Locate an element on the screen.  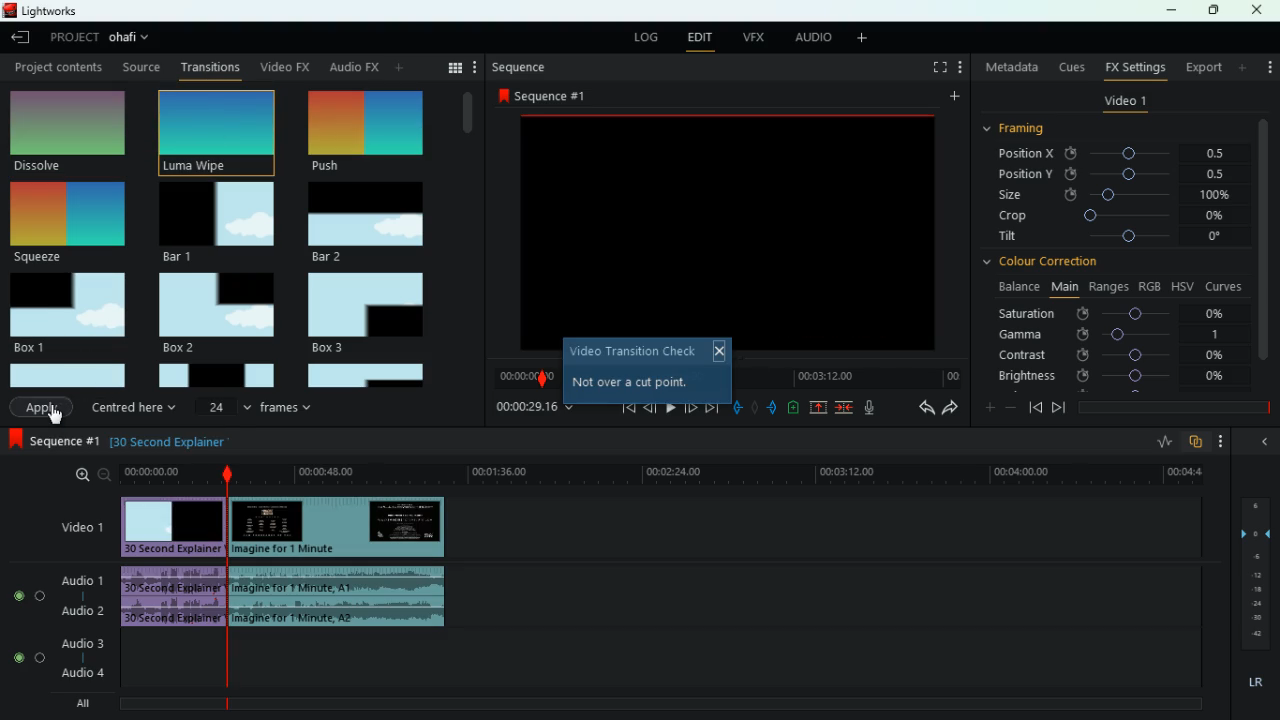
more is located at coordinates (963, 69).